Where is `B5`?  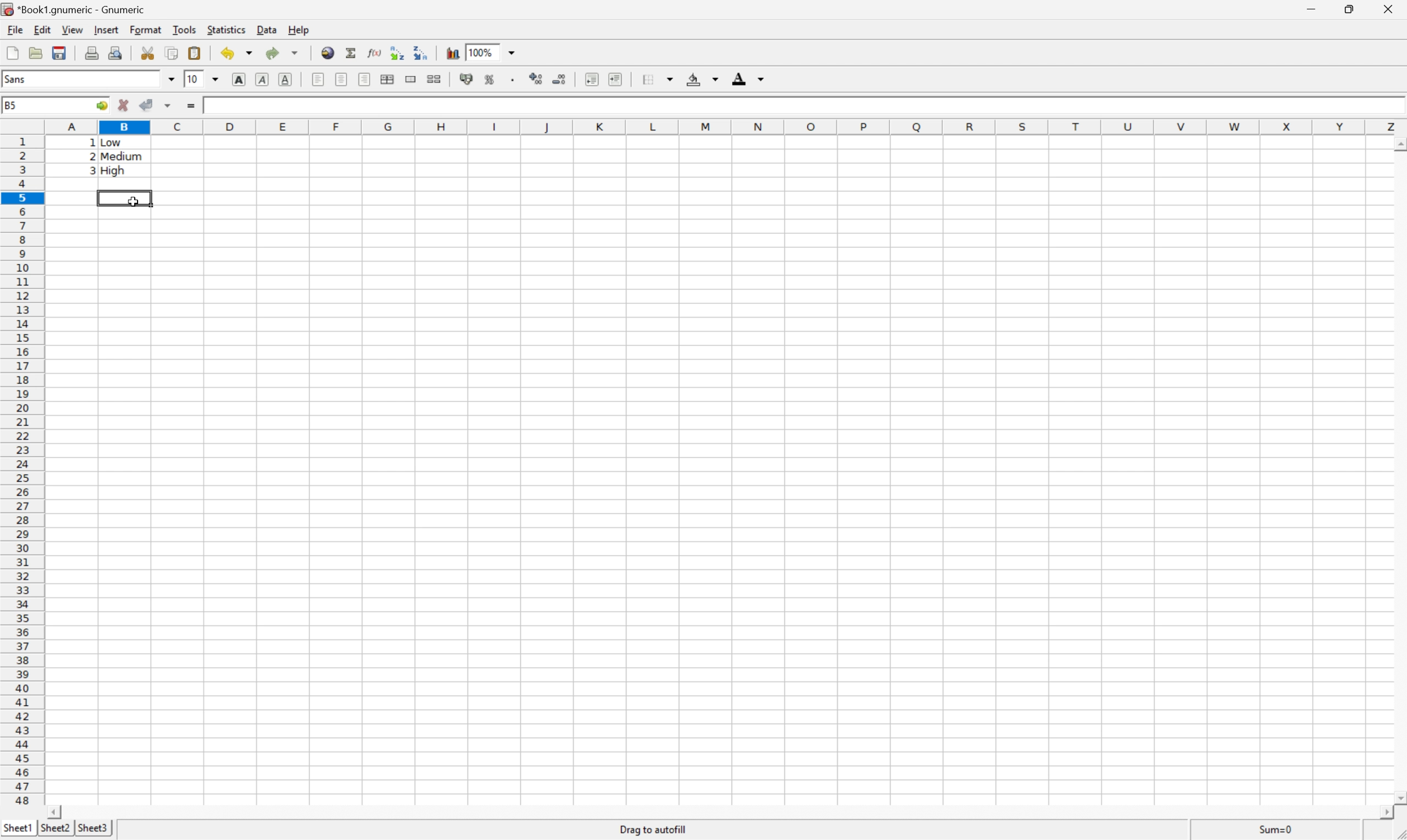 B5 is located at coordinates (12, 105).